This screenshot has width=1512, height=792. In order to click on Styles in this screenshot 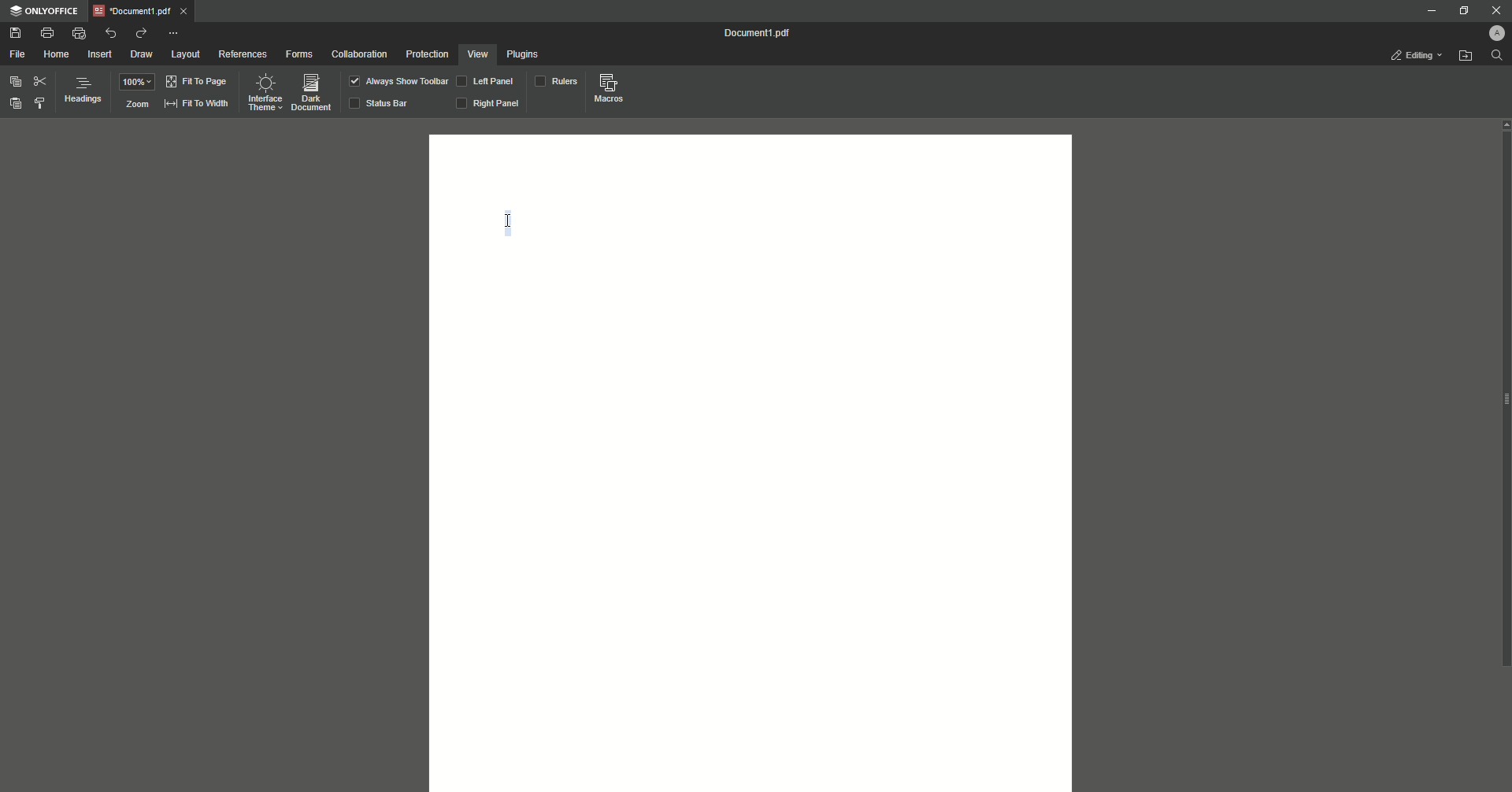, I will do `click(39, 103)`.